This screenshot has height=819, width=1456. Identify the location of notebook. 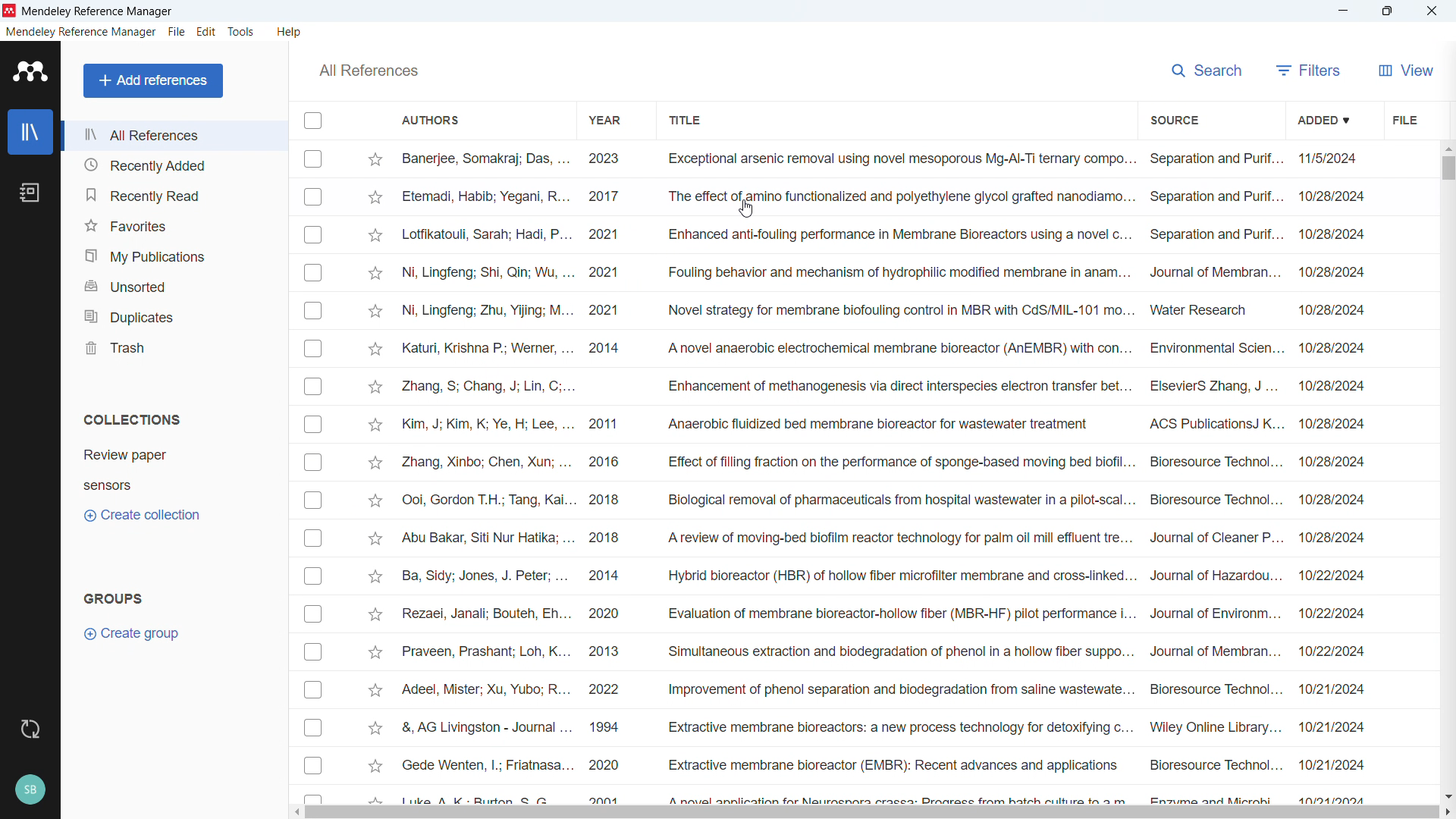
(30, 193).